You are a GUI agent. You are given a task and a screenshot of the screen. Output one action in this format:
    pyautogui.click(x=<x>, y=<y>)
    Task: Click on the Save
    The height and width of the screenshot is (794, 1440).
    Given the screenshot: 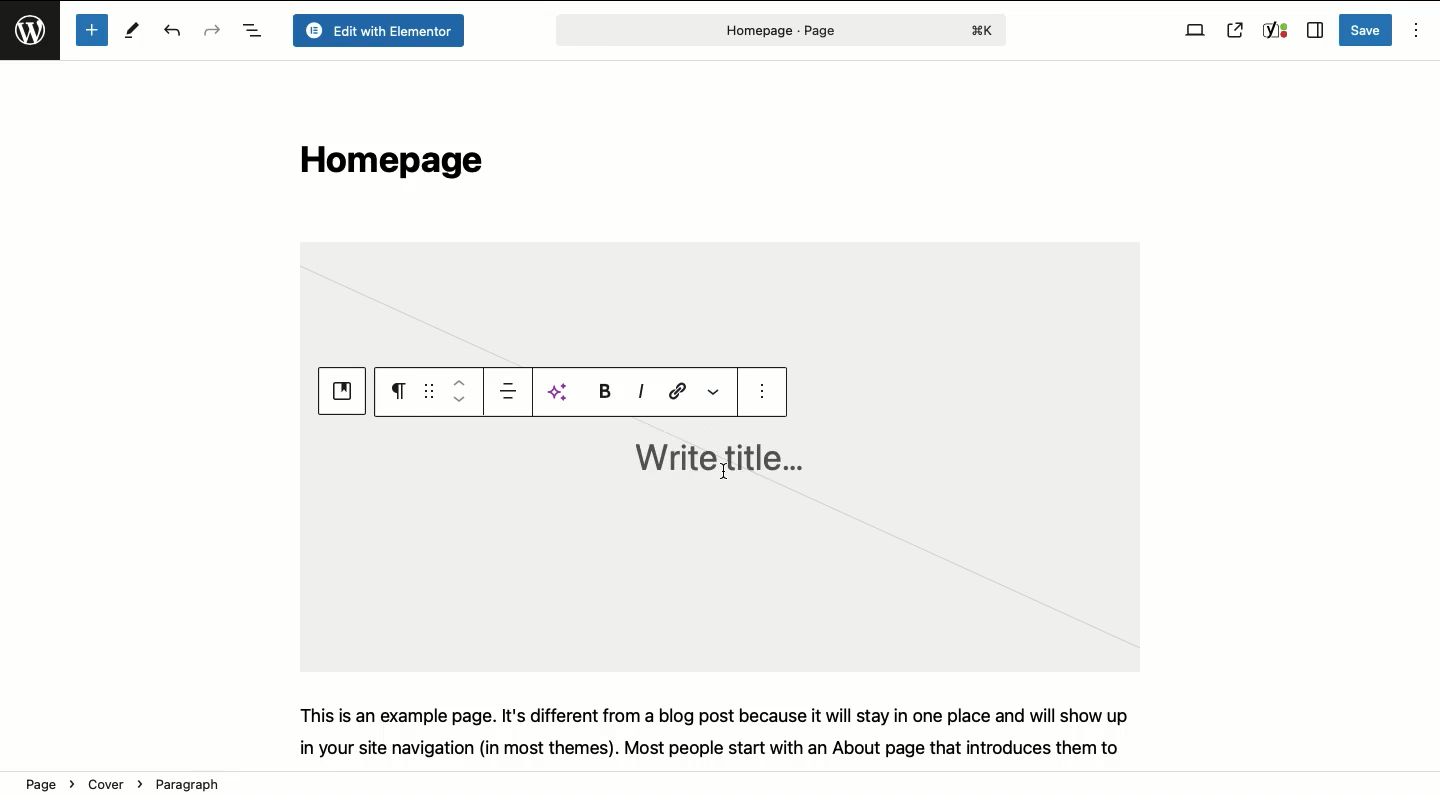 What is the action you would take?
    pyautogui.click(x=1367, y=30)
    